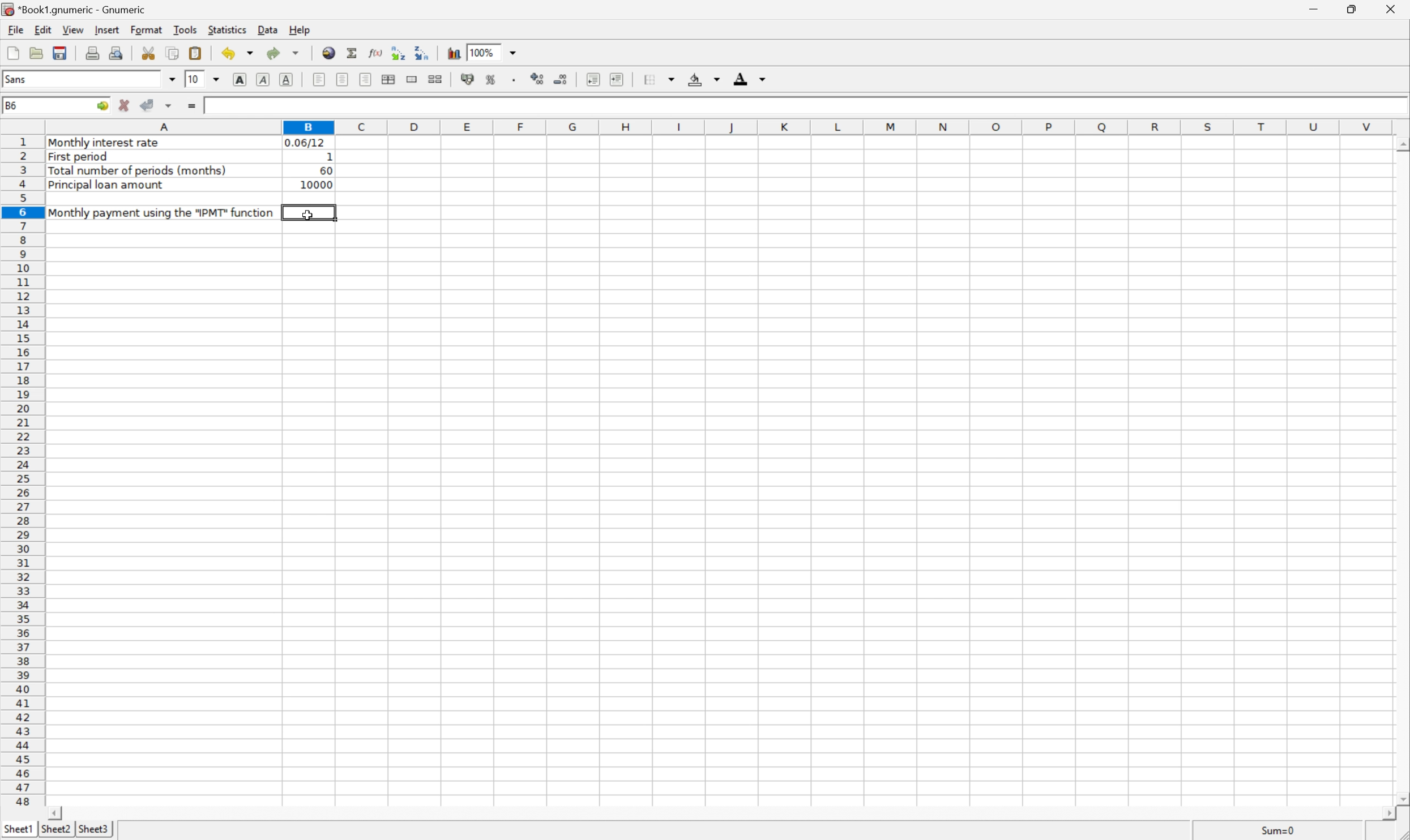 The height and width of the screenshot is (840, 1410). I want to click on Sum in current cell, so click(350, 53).